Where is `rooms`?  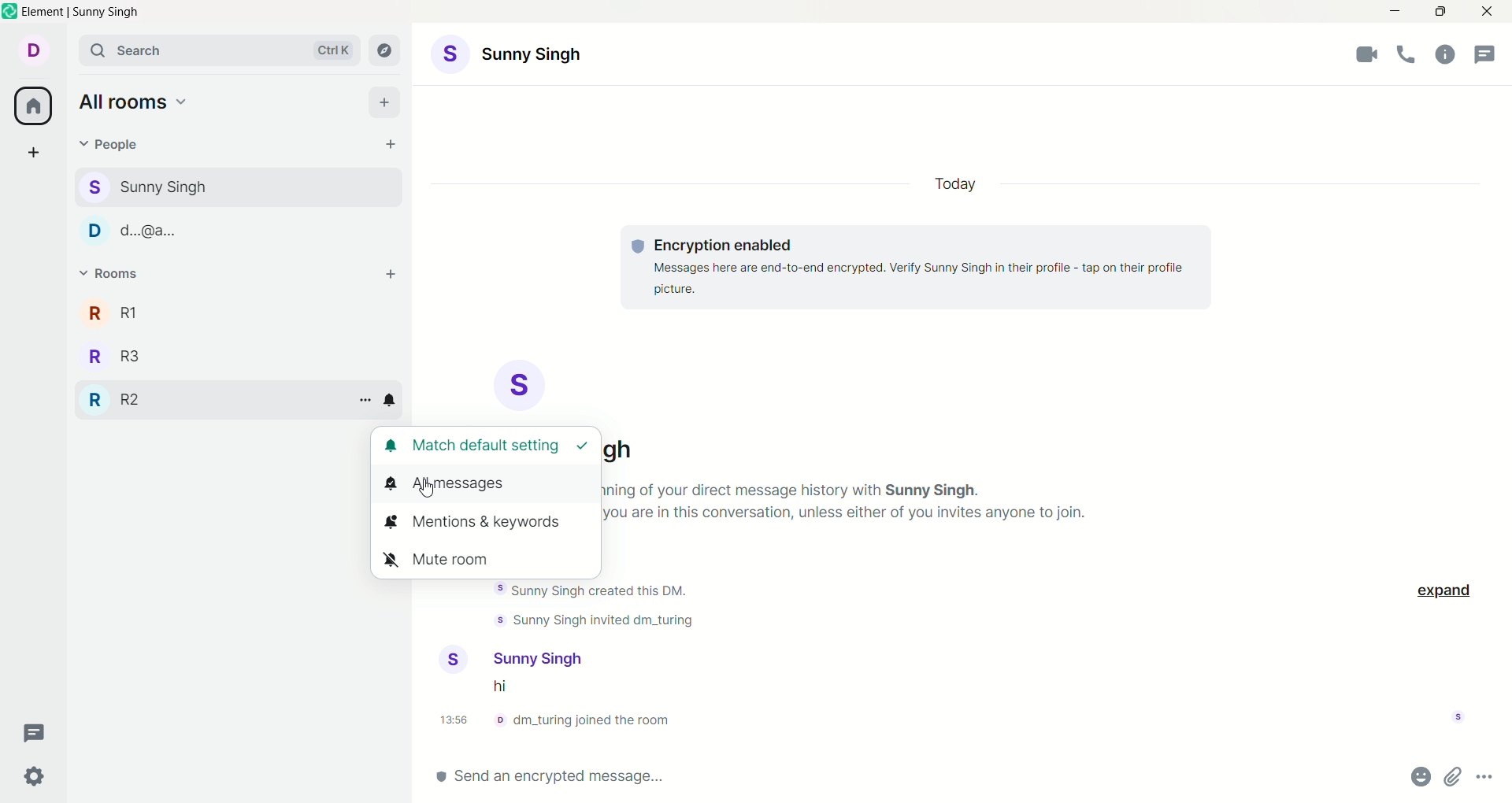
rooms is located at coordinates (111, 275).